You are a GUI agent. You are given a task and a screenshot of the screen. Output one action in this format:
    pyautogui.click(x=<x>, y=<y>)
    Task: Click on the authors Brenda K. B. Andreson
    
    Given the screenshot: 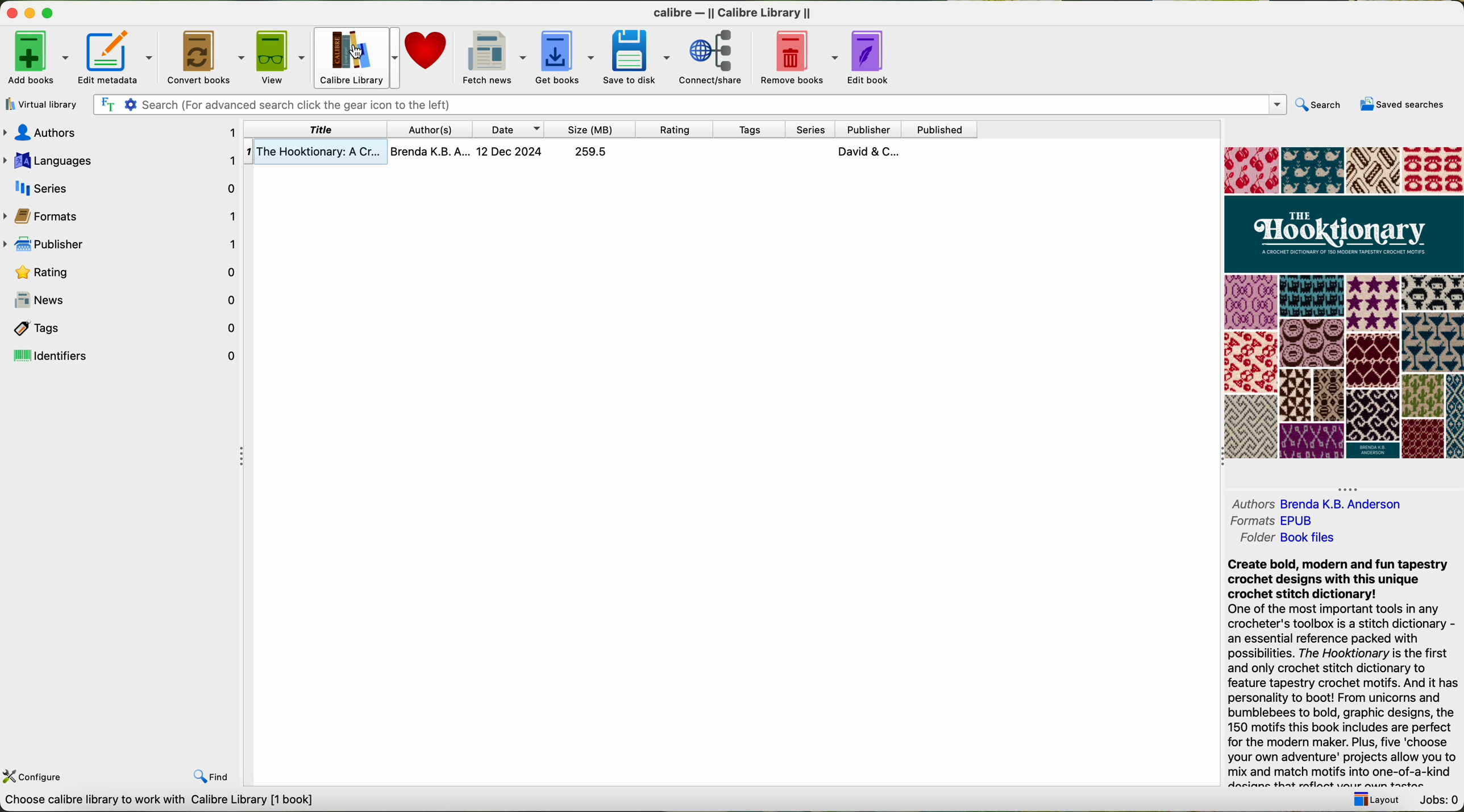 What is the action you would take?
    pyautogui.click(x=1316, y=504)
    